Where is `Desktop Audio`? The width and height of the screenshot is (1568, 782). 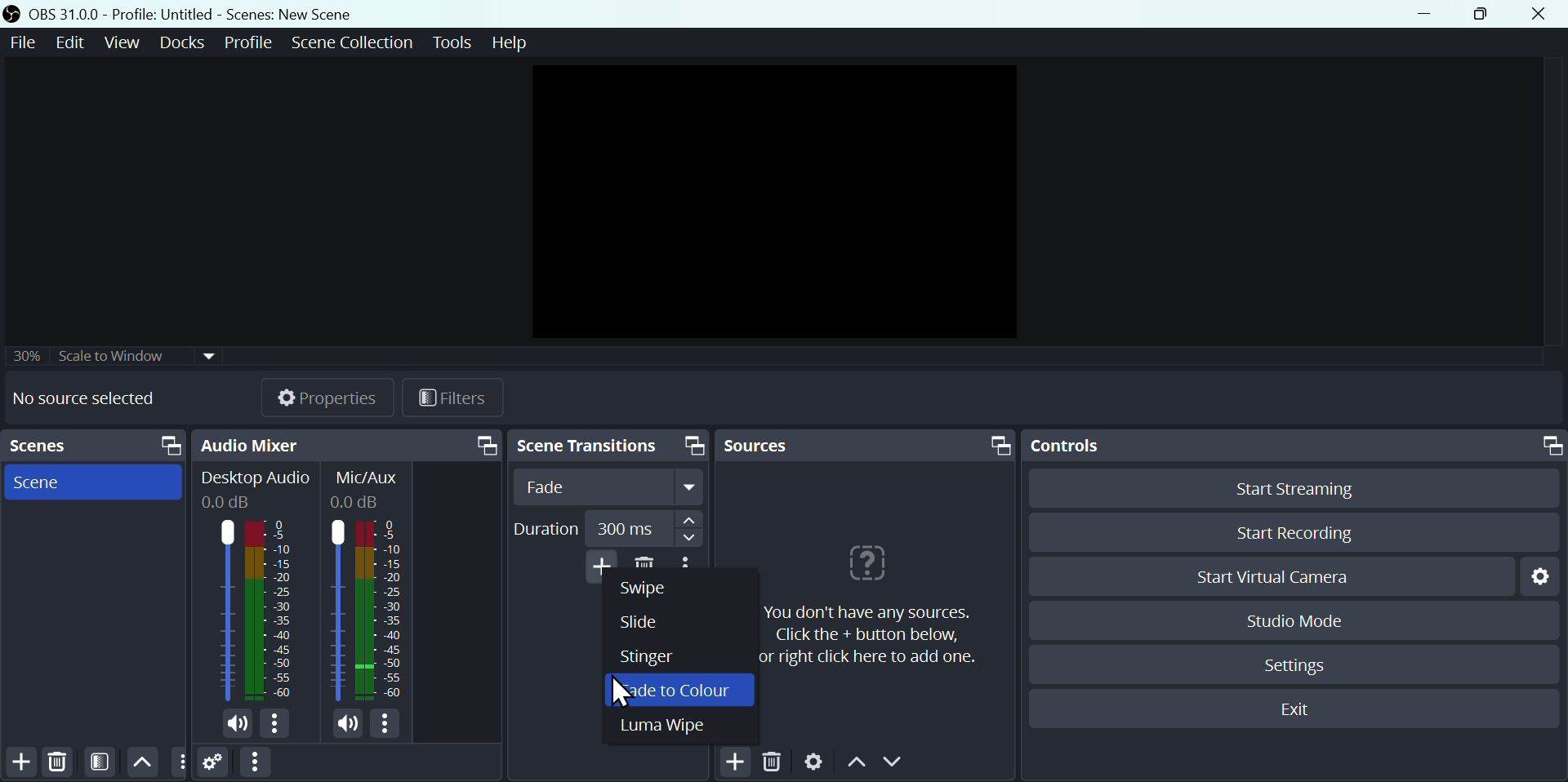
Desktop Audio is located at coordinates (254, 488).